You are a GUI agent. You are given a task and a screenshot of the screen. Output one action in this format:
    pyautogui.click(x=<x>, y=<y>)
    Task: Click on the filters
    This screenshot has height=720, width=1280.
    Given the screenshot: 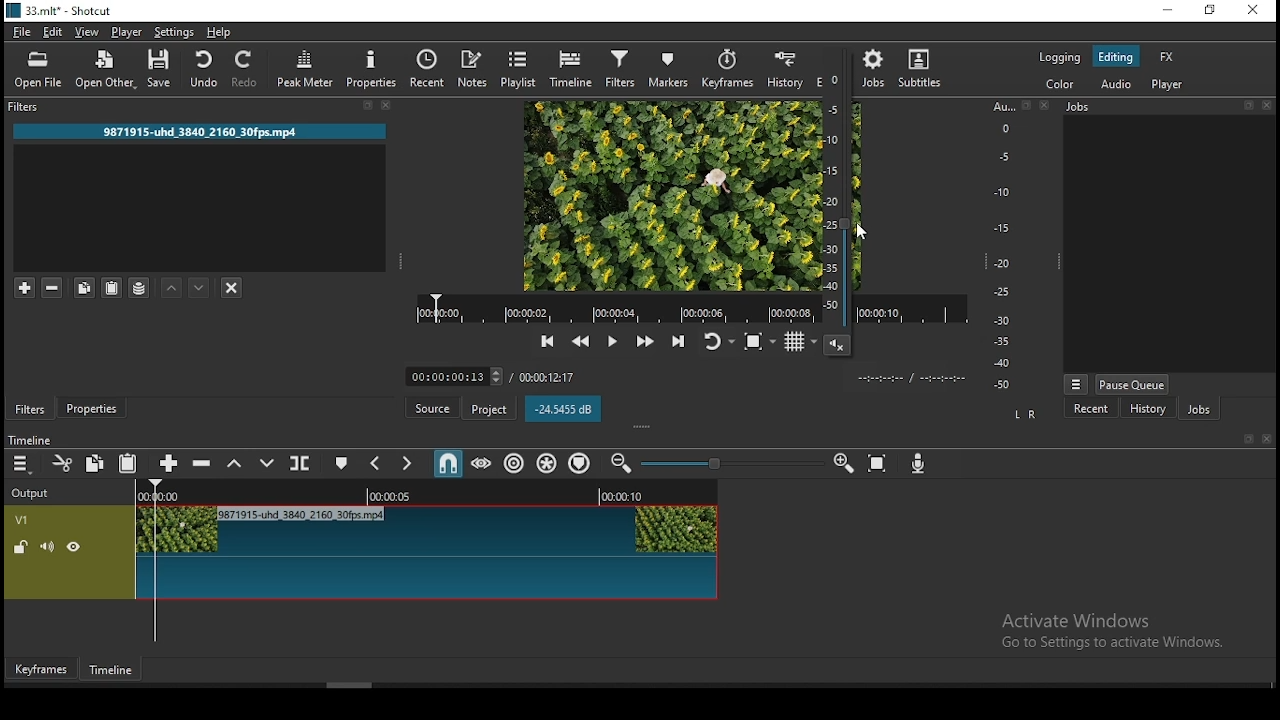 What is the action you would take?
    pyautogui.click(x=26, y=109)
    